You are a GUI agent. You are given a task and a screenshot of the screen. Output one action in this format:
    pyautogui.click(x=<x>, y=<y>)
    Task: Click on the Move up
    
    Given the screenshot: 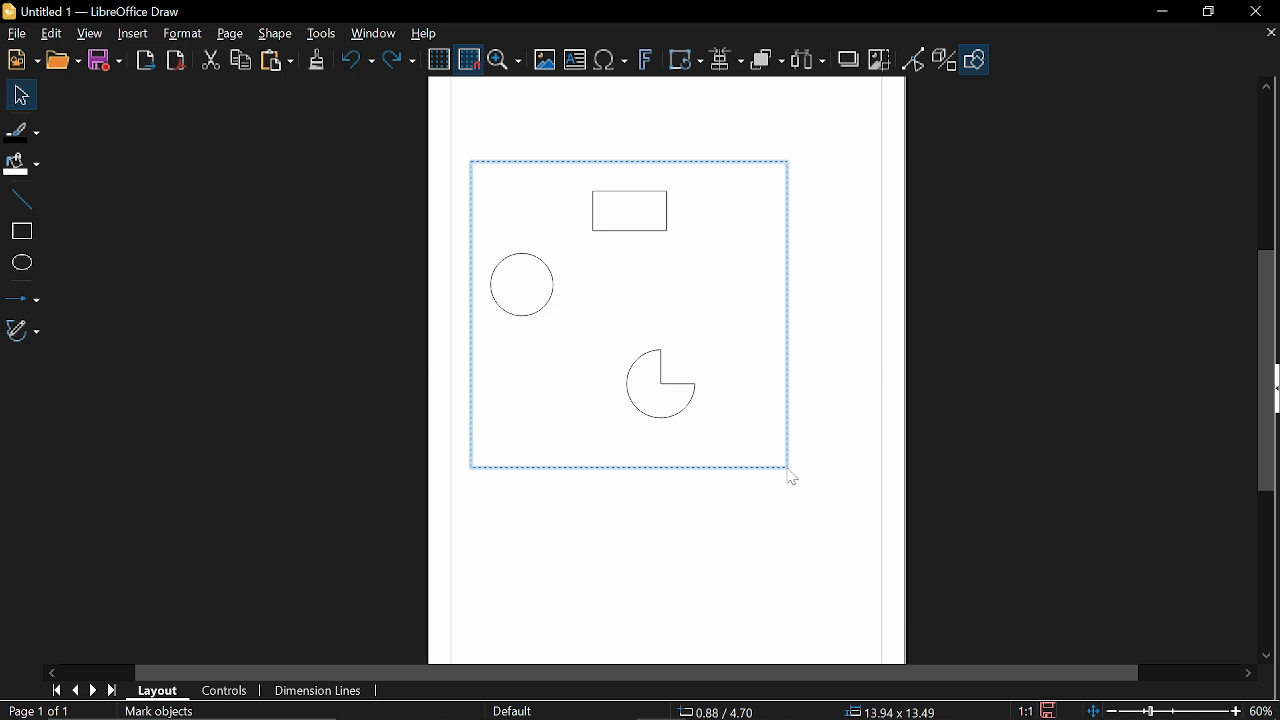 What is the action you would take?
    pyautogui.click(x=1268, y=84)
    